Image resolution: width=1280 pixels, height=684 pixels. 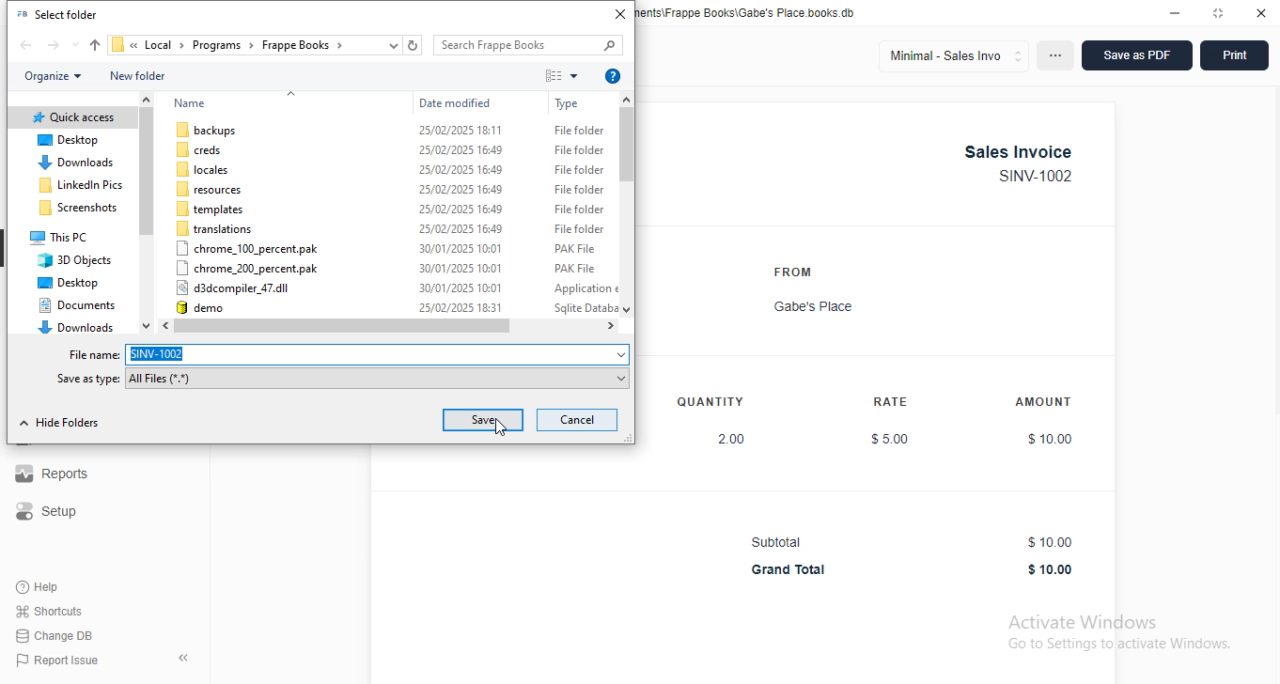 I want to click on file folder, so click(x=579, y=150).